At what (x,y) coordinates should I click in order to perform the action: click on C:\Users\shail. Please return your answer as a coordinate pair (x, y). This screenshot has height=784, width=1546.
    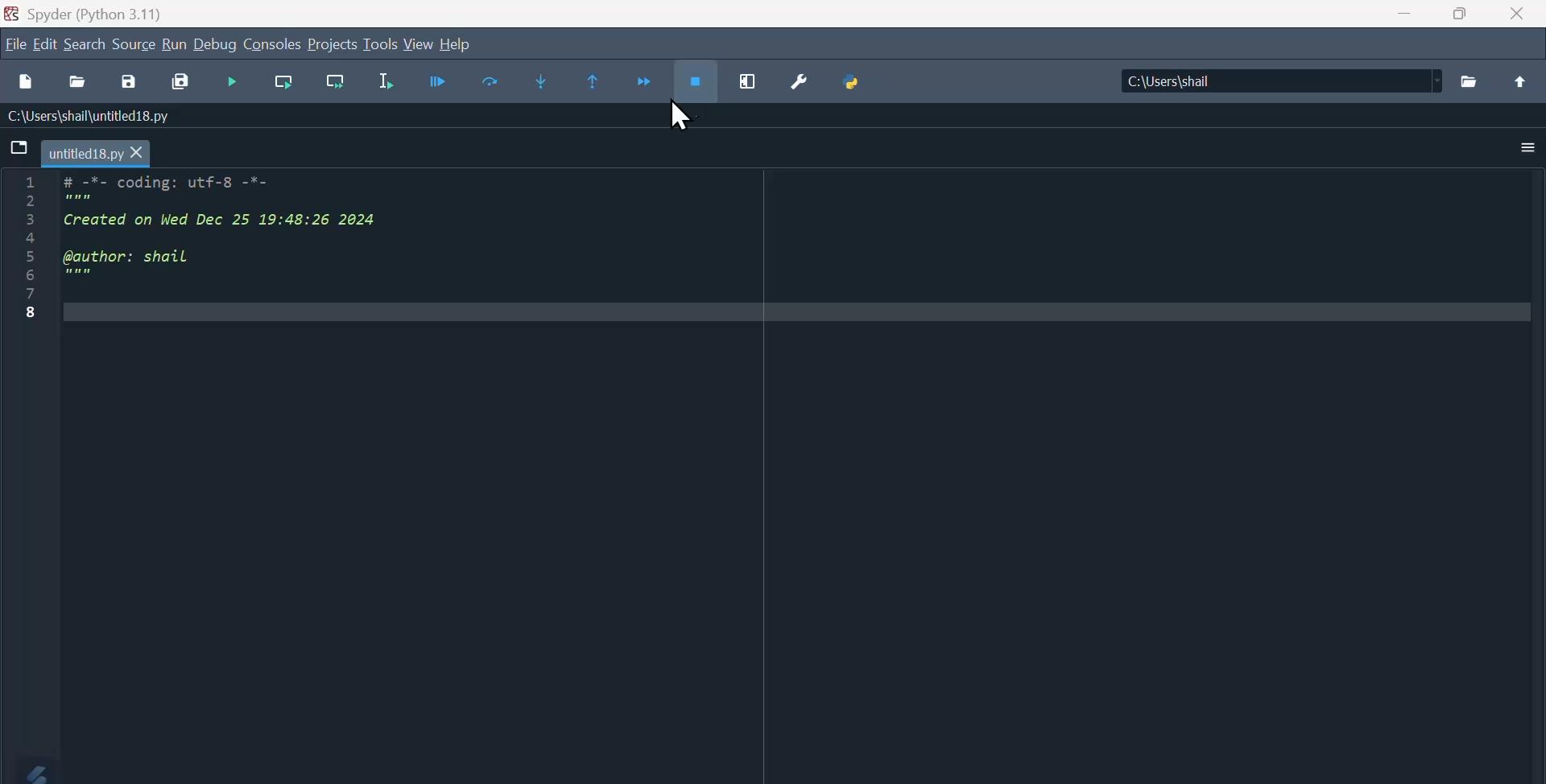
    Looking at the image, I should click on (1168, 80).